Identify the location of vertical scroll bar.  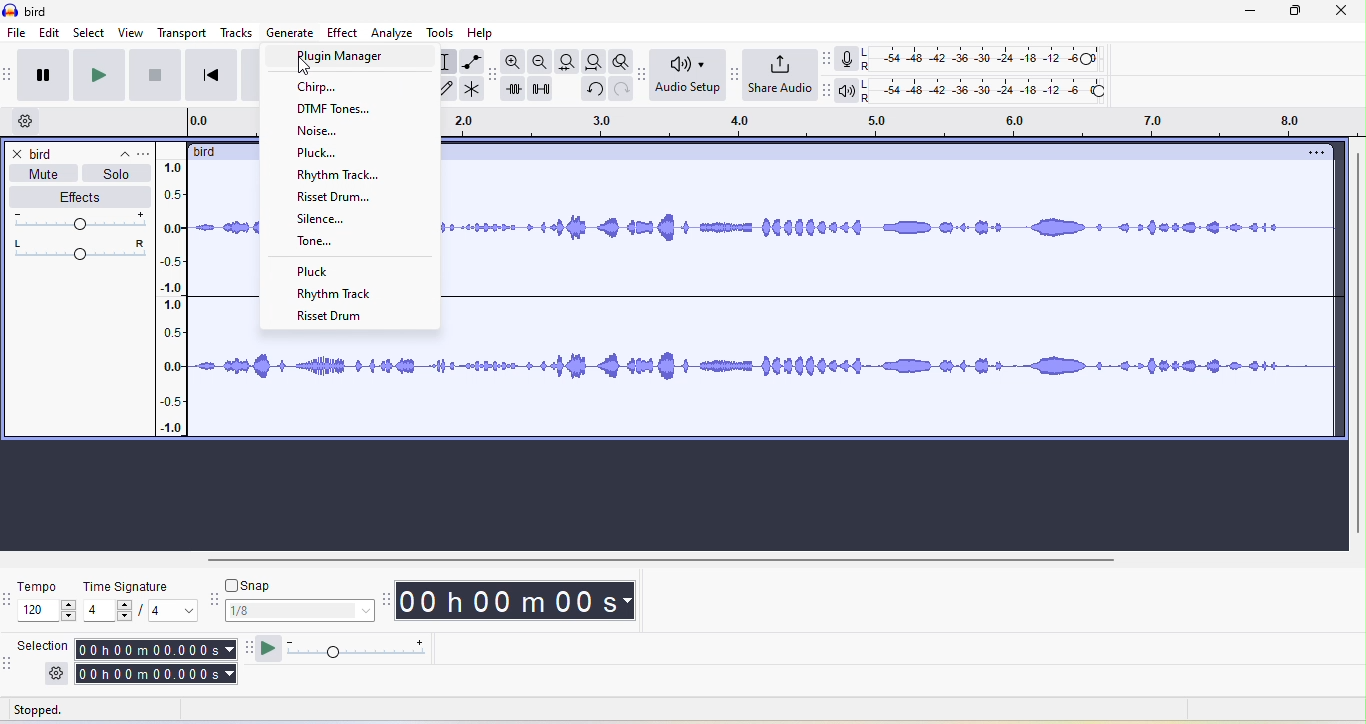
(1357, 342).